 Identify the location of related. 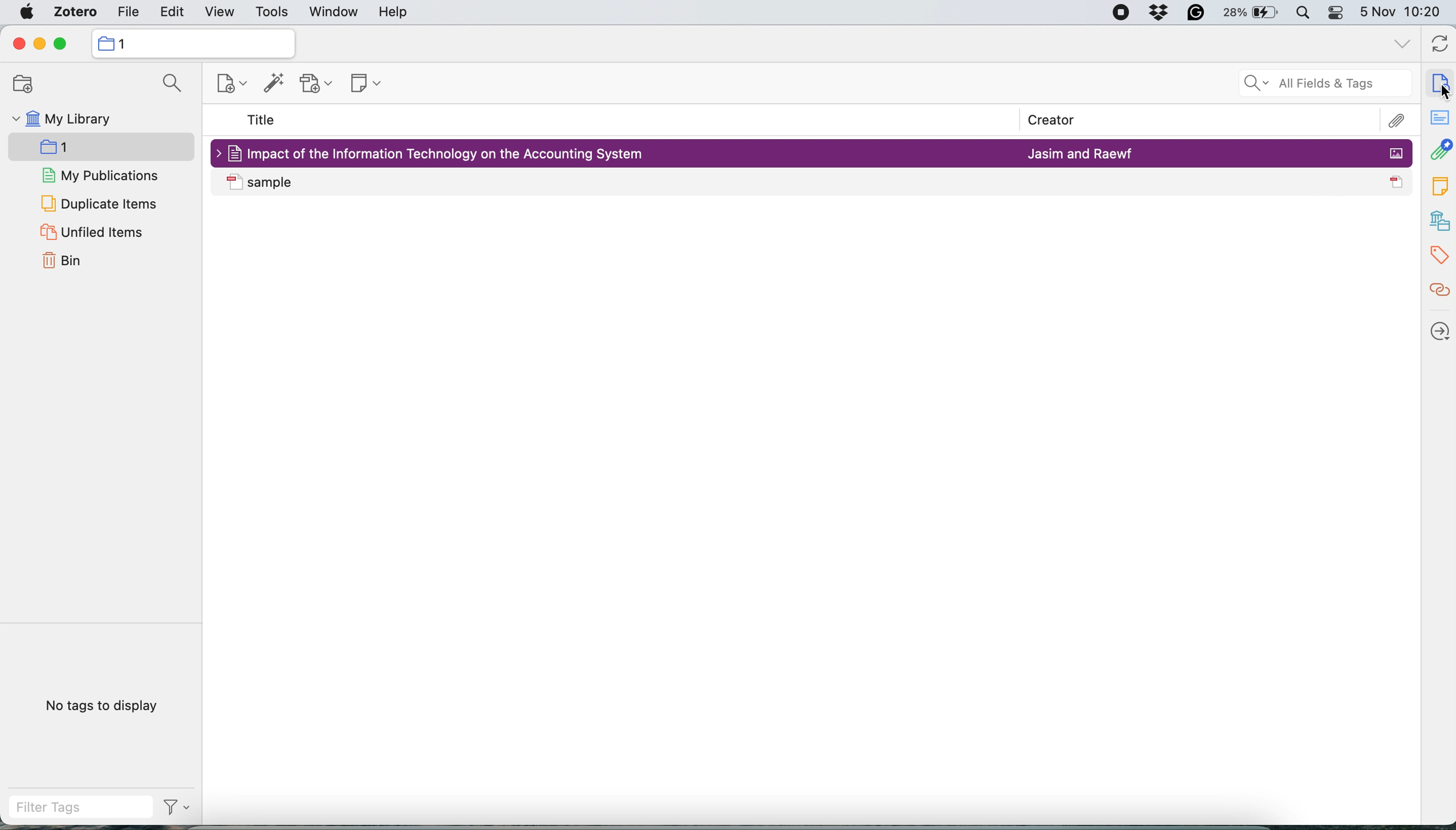
(1439, 292).